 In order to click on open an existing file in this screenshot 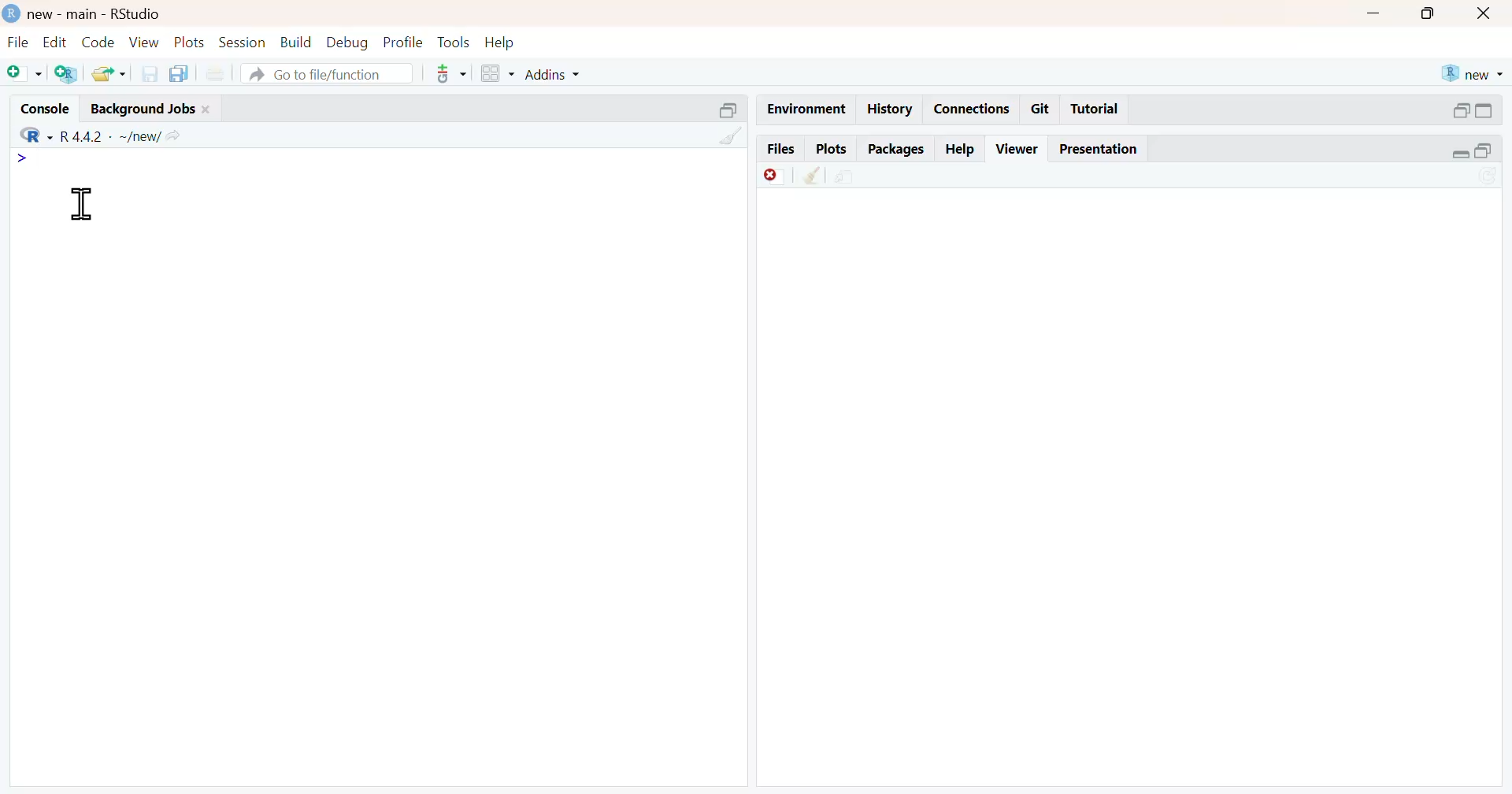, I will do `click(108, 74)`.